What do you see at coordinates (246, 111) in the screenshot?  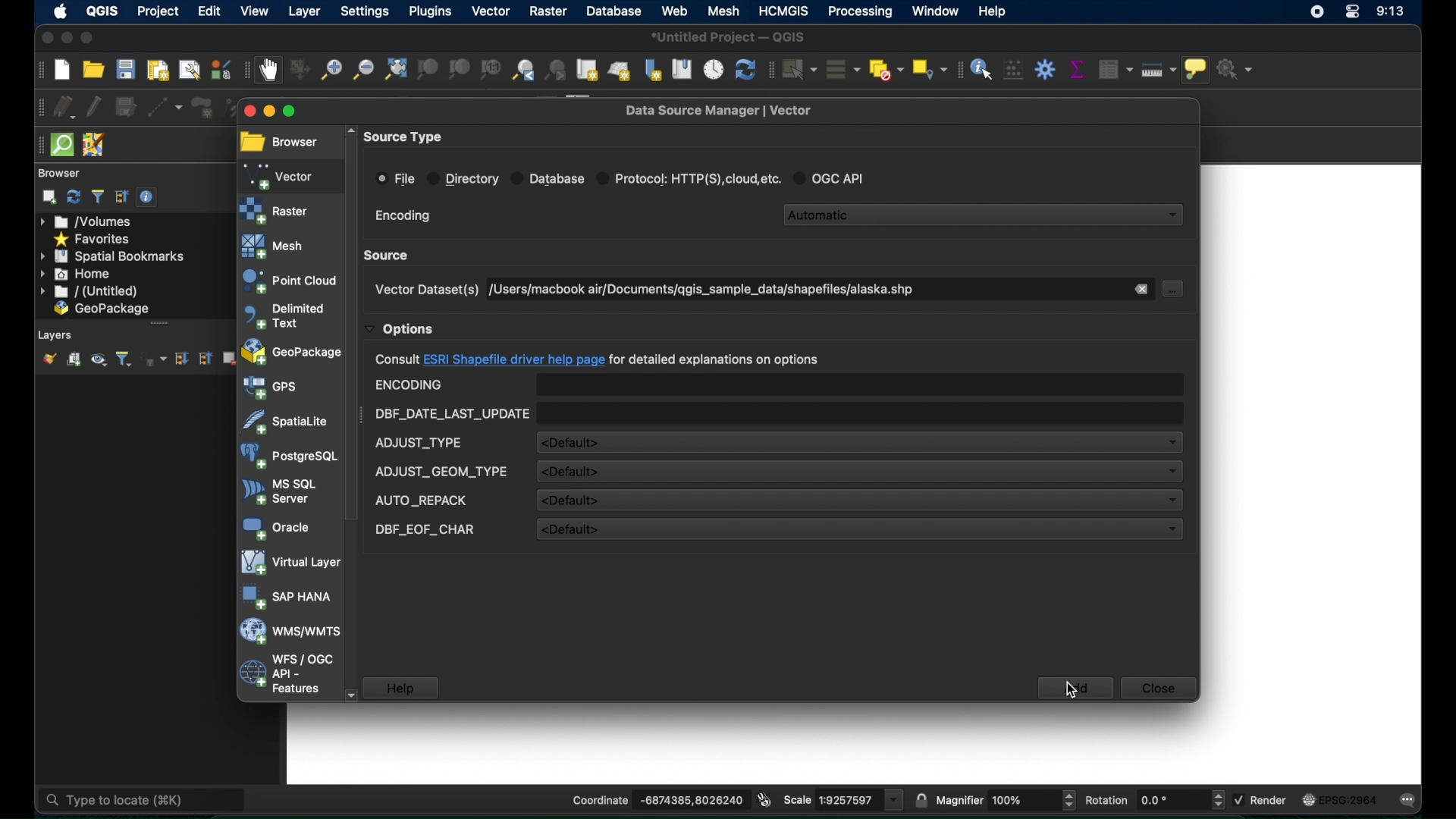 I see `close` at bounding box center [246, 111].